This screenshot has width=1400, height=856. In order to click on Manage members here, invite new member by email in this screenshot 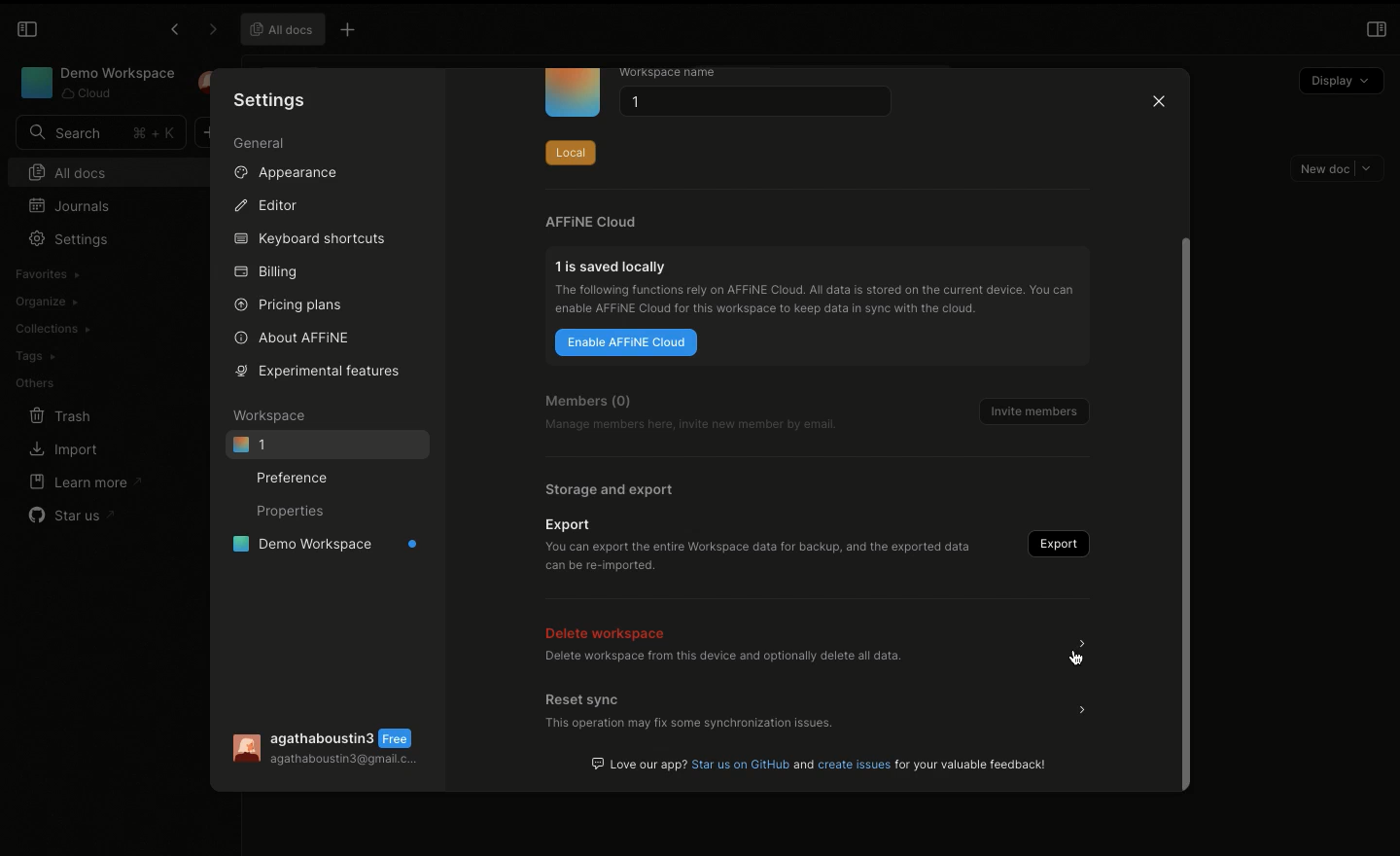, I will do `click(696, 426)`.